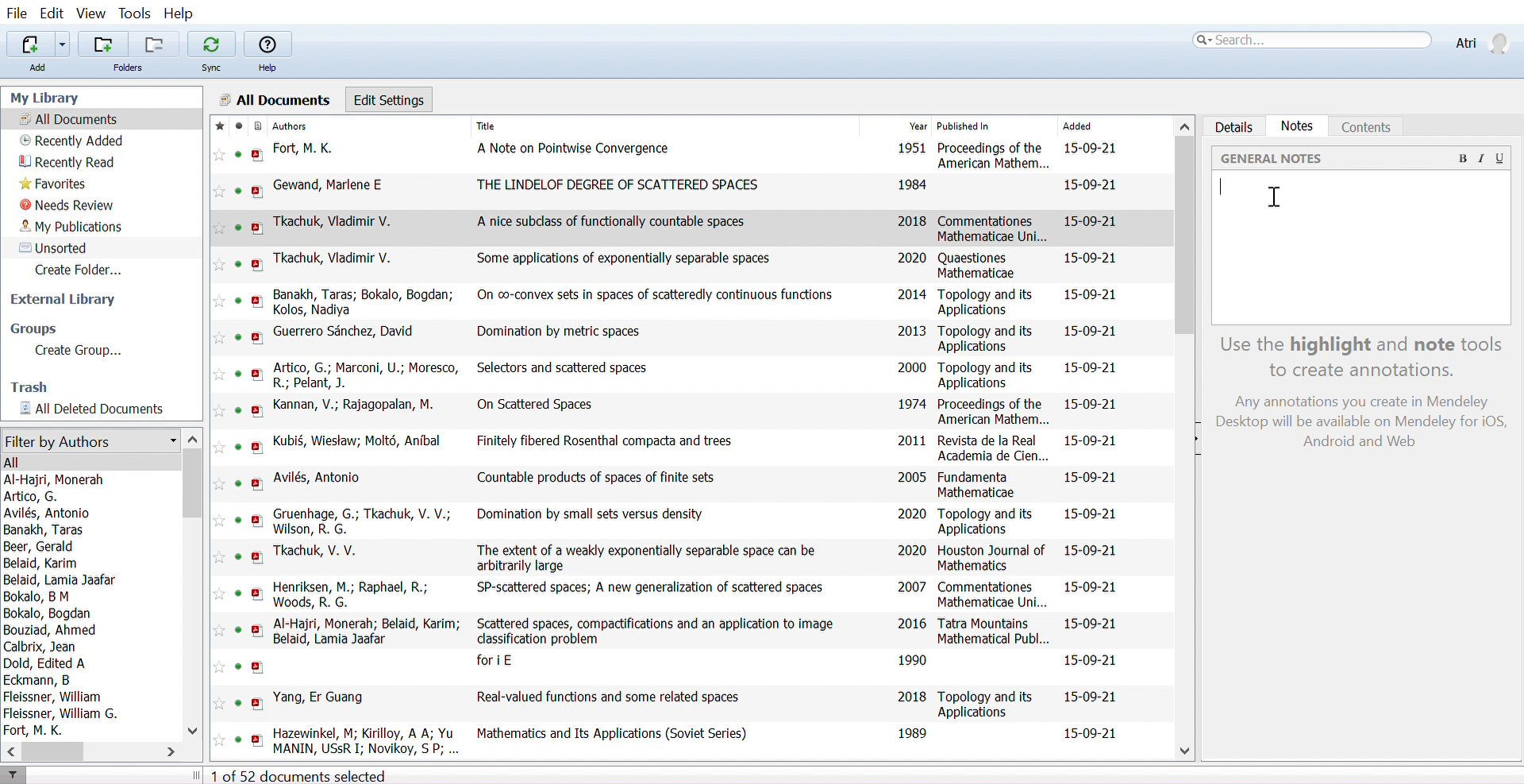  What do you see at coordinates (10, 751) in the screenshot?
I see `Move left in filter by authors` at bounding box center [10, 751].